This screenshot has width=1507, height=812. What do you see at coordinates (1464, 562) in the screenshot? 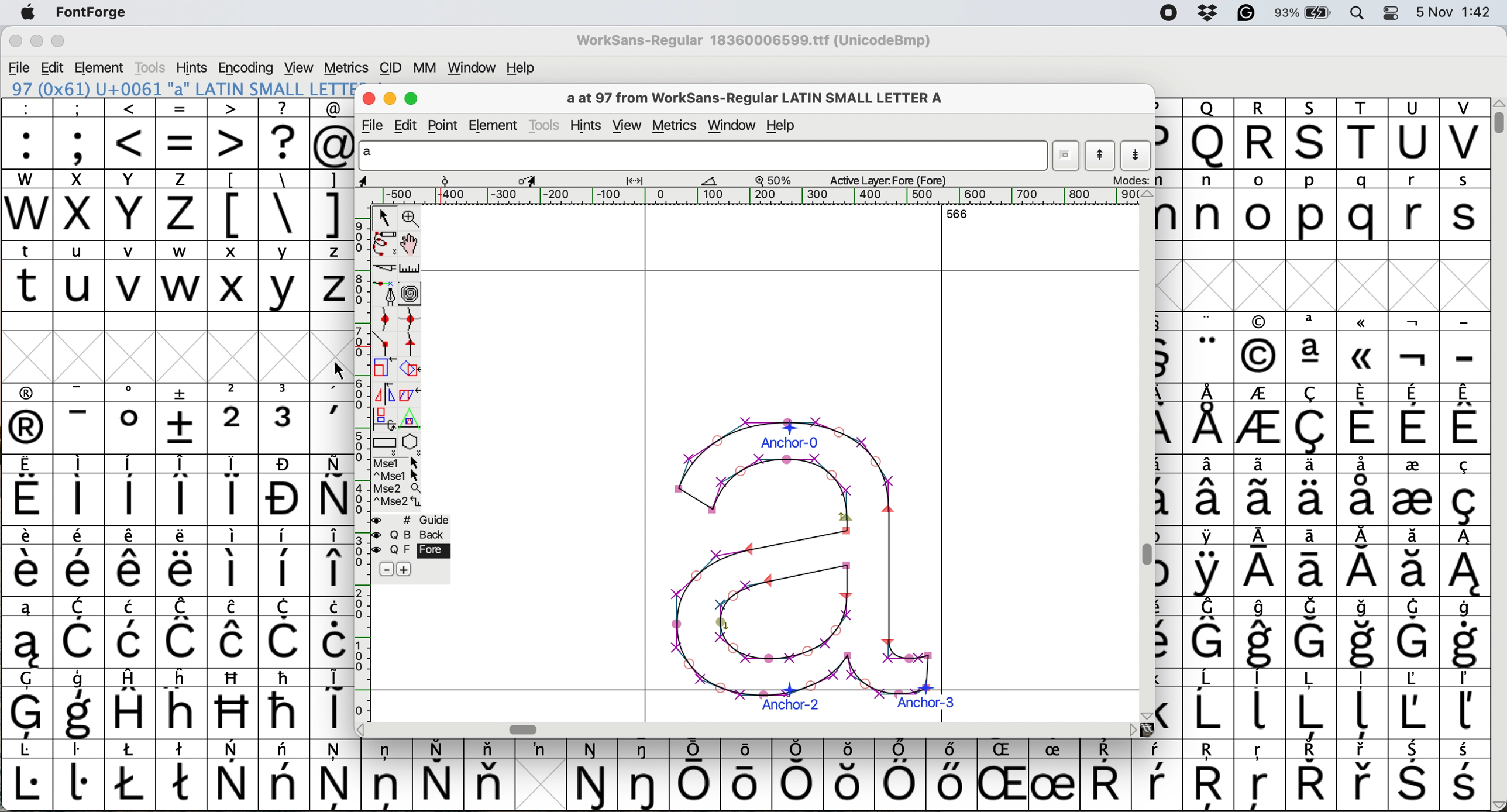
I see `symbol` at bounding box center [1464, 562].